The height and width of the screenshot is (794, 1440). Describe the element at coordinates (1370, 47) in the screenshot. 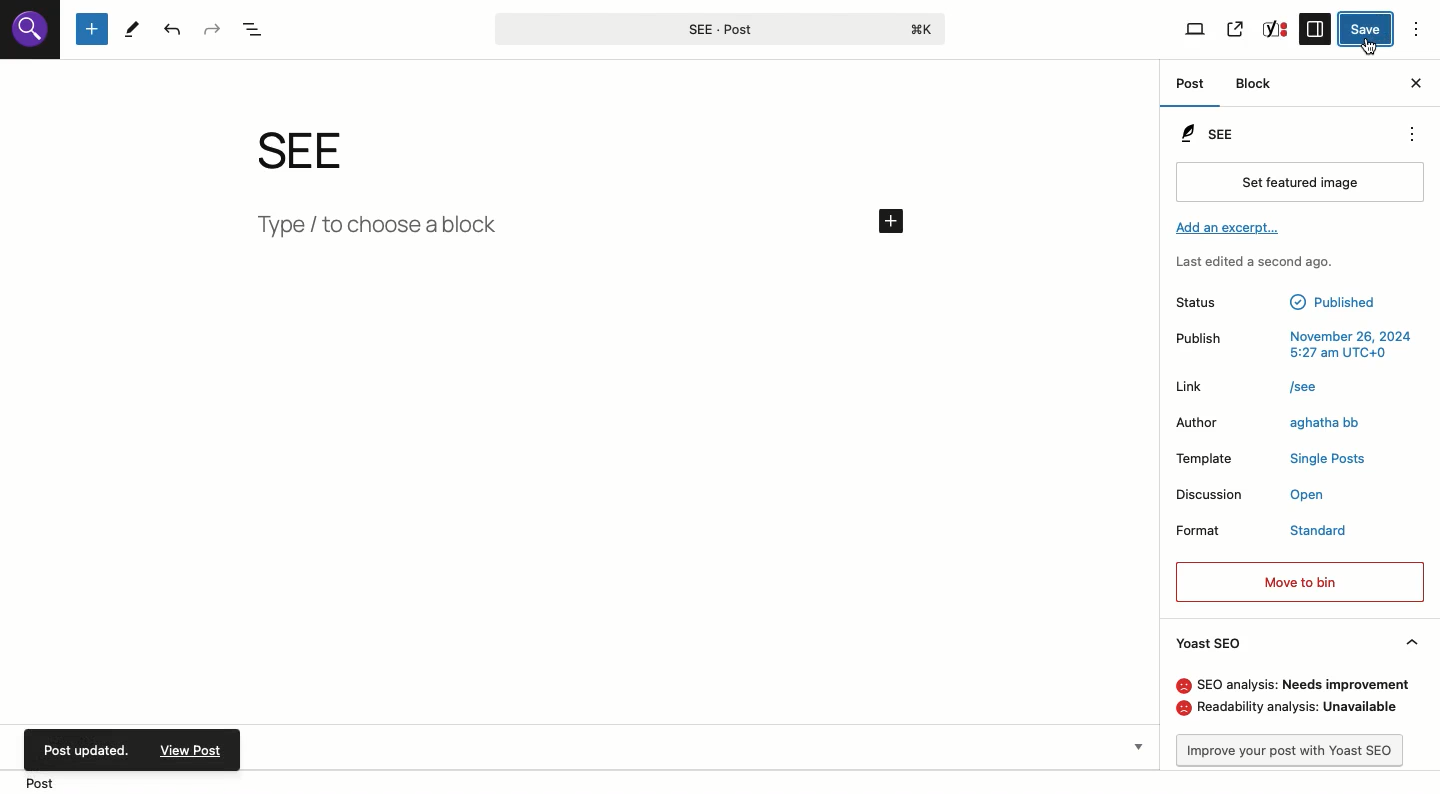

I see `Cursor` at that location.